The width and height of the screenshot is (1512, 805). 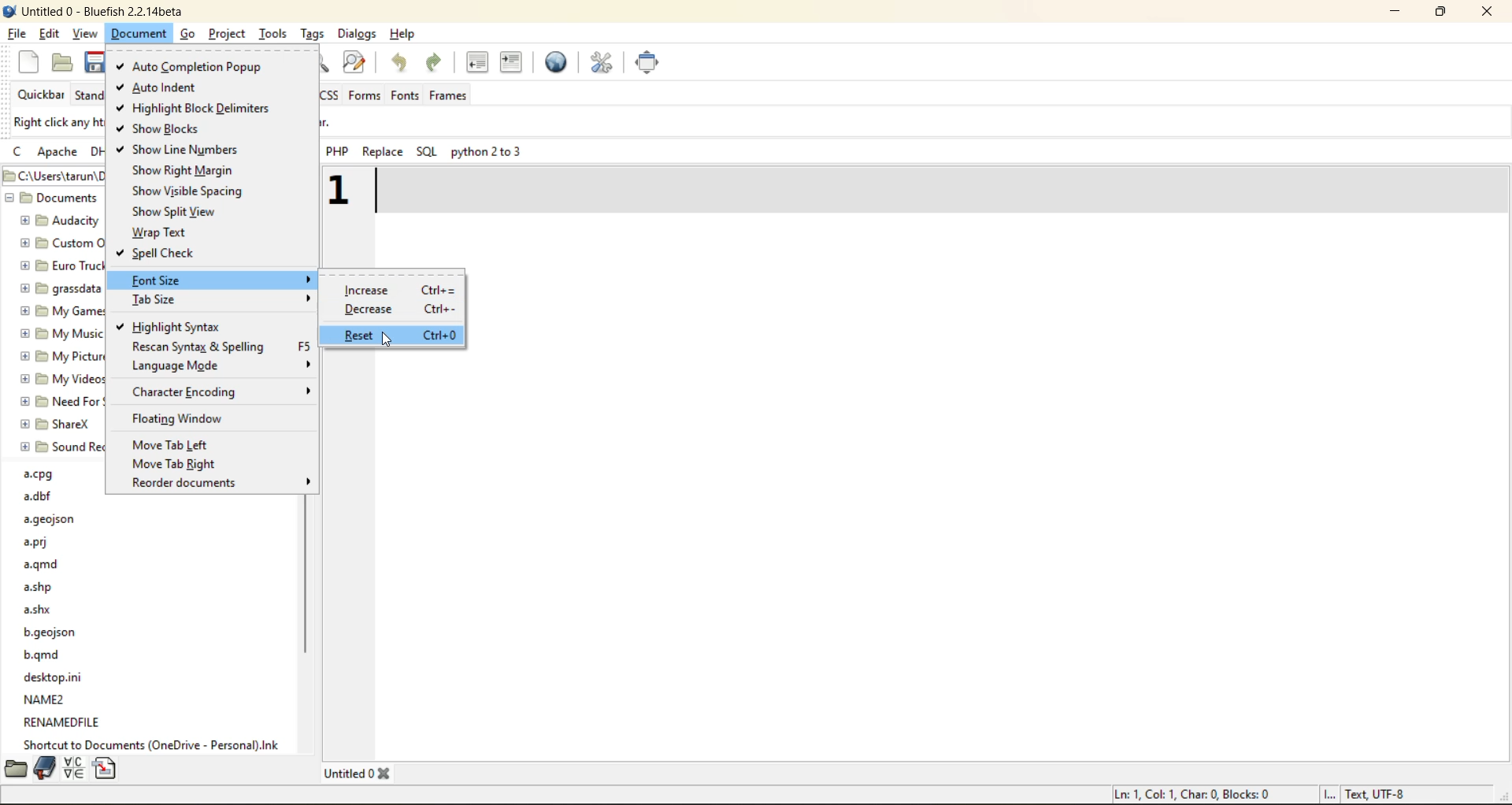 What do you see at coordinates (98, 10) in the screenshot?
I see `Untitled 0 - Bluefish 2.2.14beta` at bounding box center [98, 10].